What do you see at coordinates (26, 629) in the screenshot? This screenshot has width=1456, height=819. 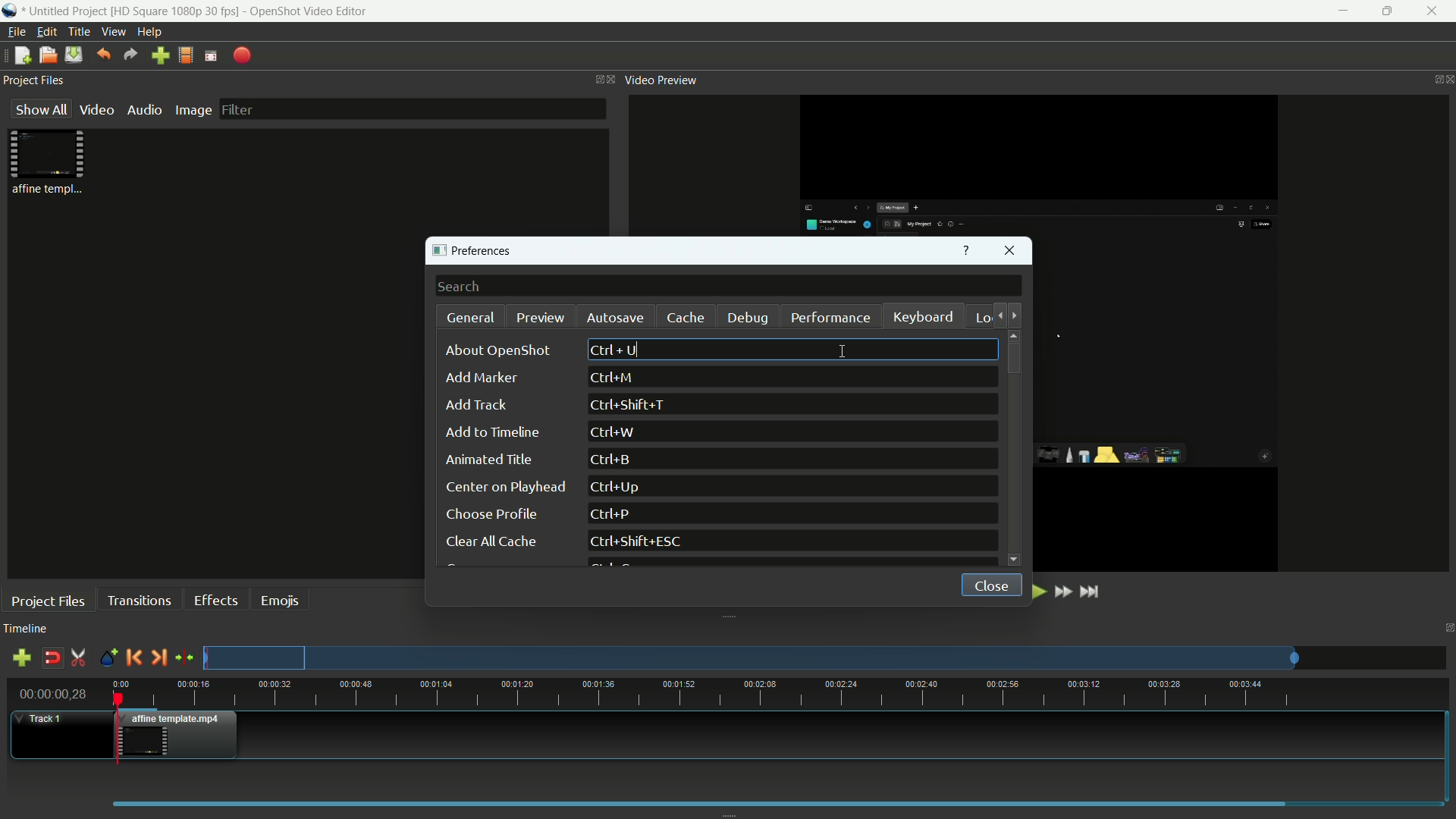 I see `timeline` at bounding box center [26, 629].